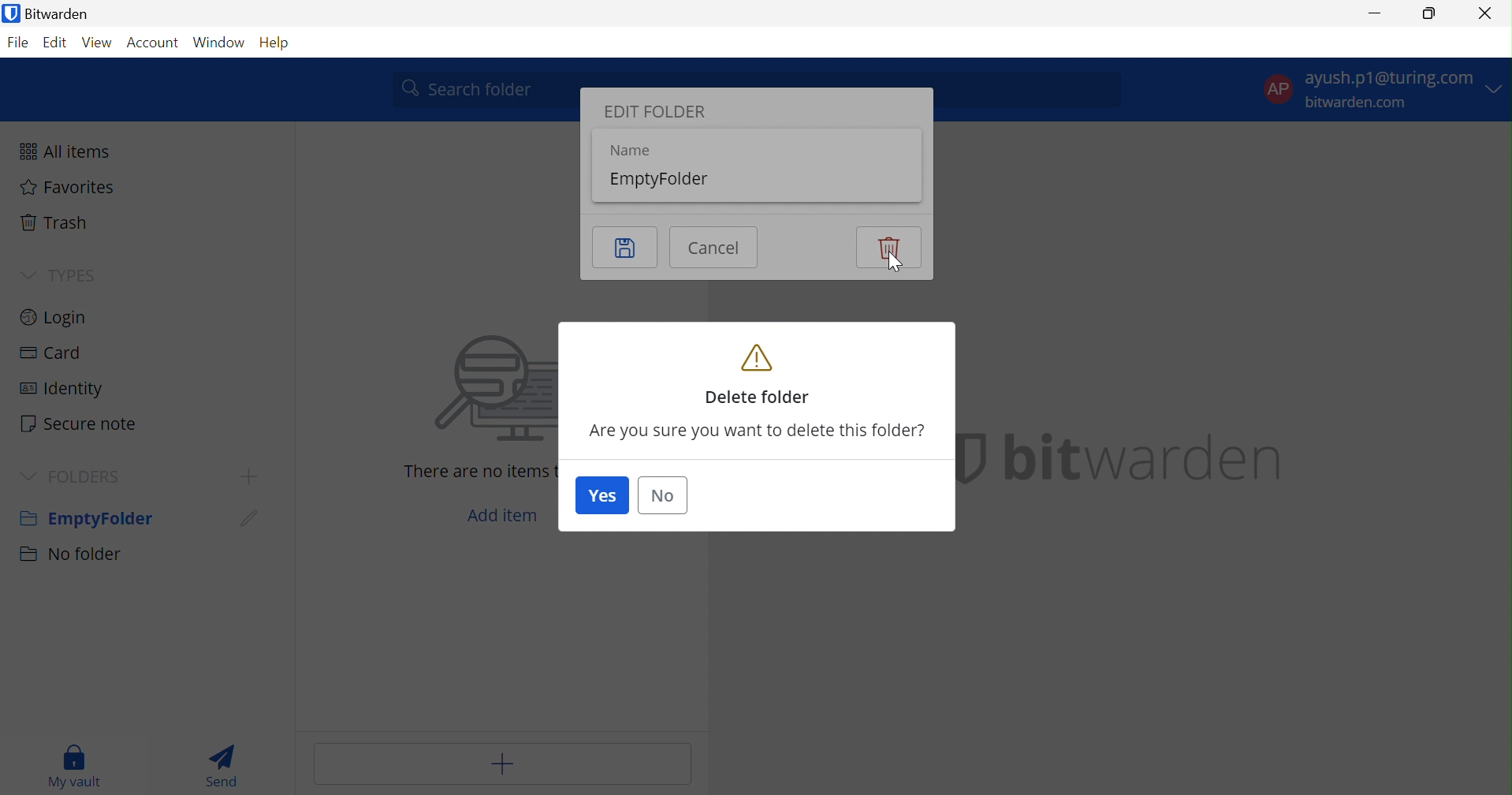 The width and height of the screenshot is (1512, 795). What do you see at coordinates (759, 374) in the screenshot?
I see `Delete folder` at bounding box center [759, 374].